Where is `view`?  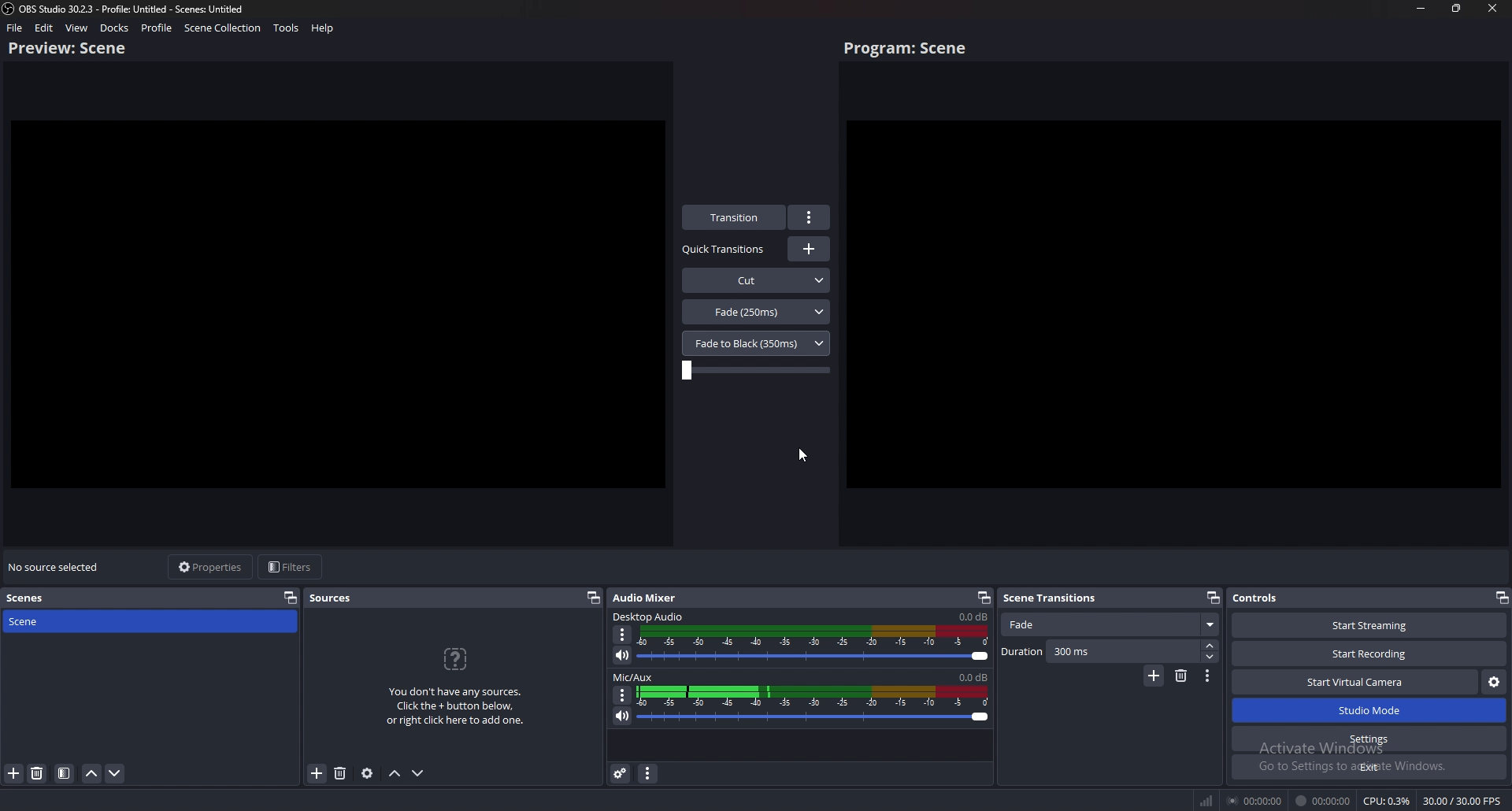 view is located at coordinates (77, 28).